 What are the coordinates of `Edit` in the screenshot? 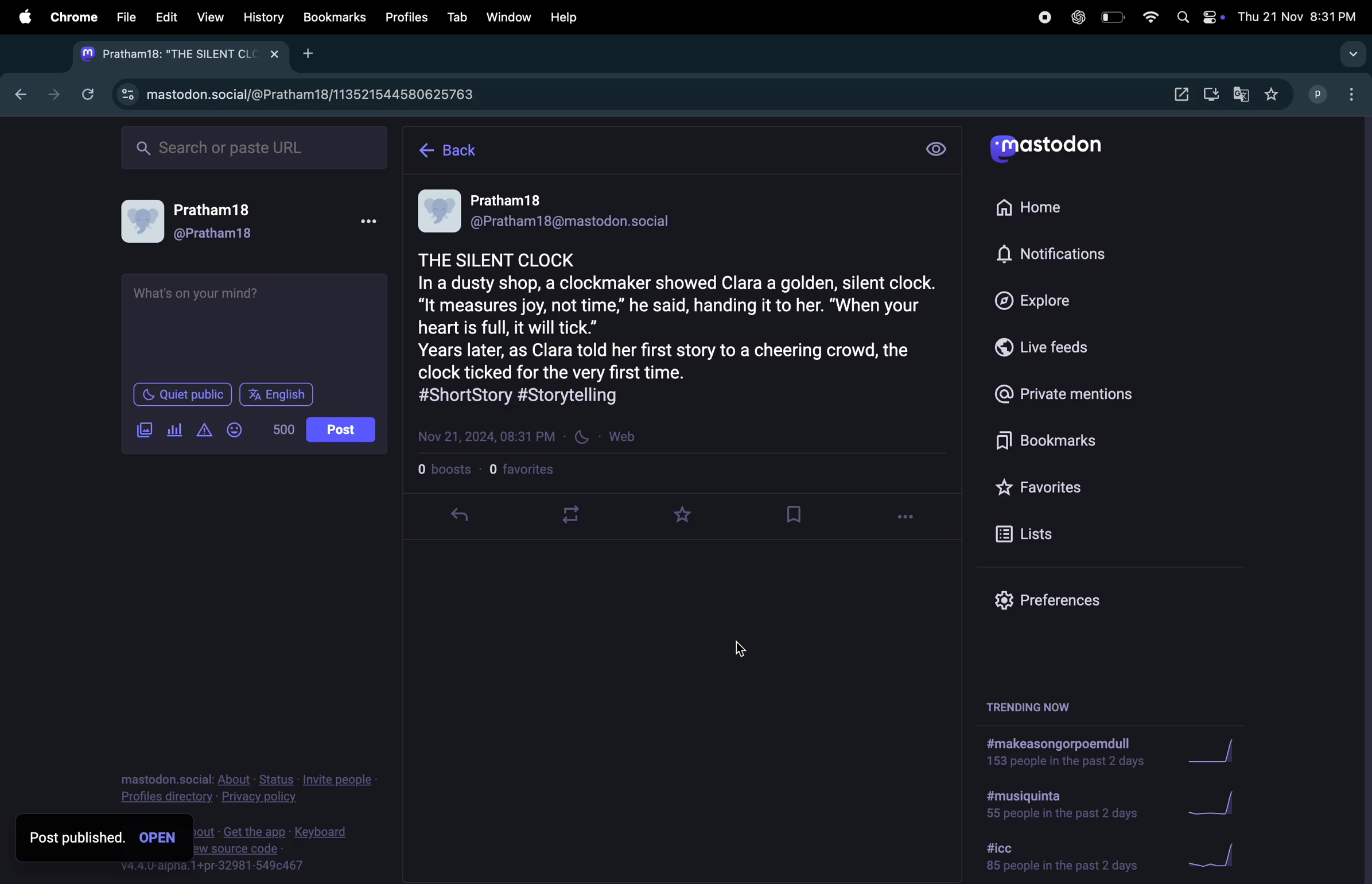 It's located at (166, 14).